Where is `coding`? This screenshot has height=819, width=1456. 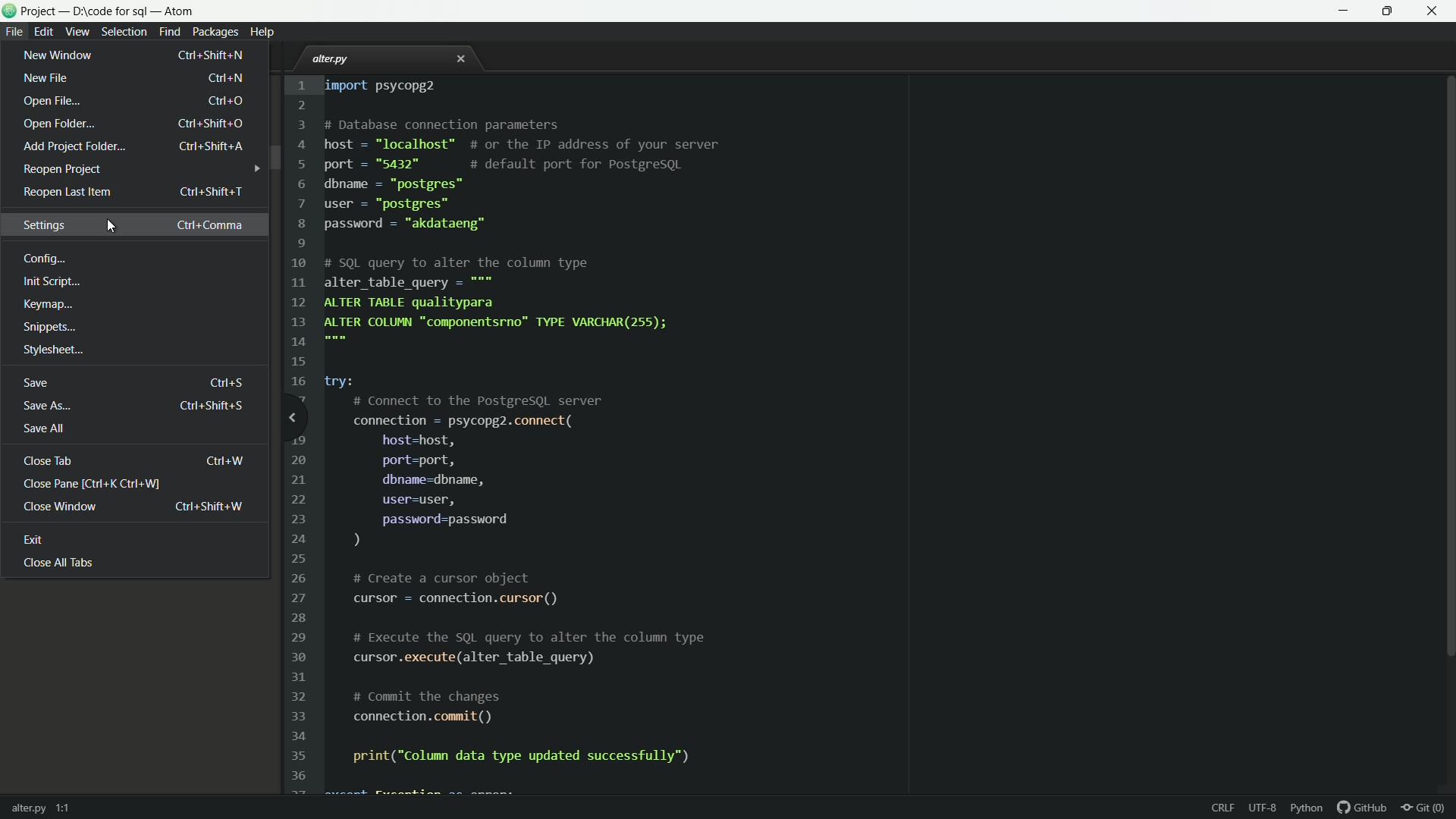
coding is located at coordinates (43, 261).